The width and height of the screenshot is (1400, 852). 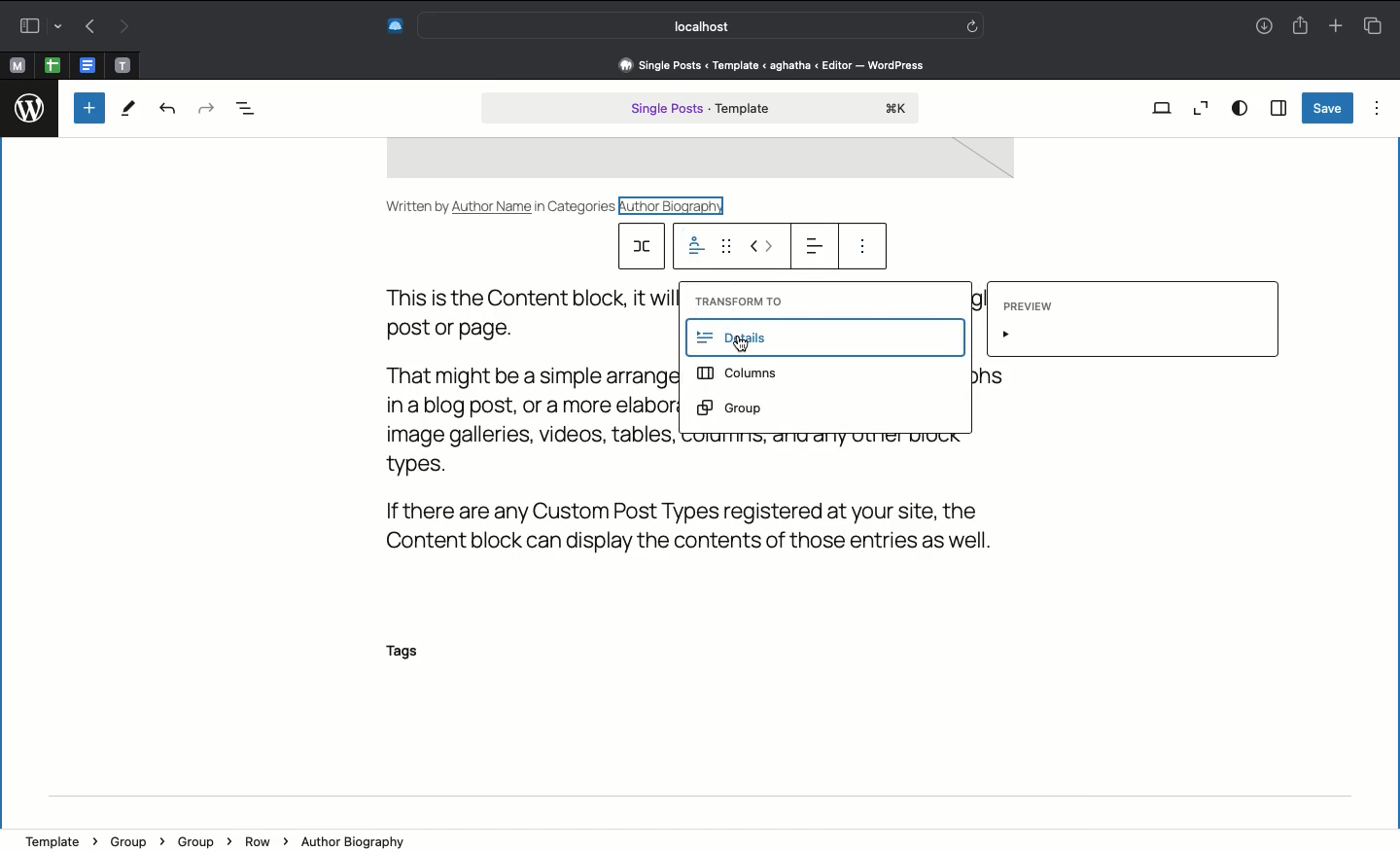 What do you see at coordinates (1163, 107) in the screenshot?
I see `View` at bounding box center [1163, 107].